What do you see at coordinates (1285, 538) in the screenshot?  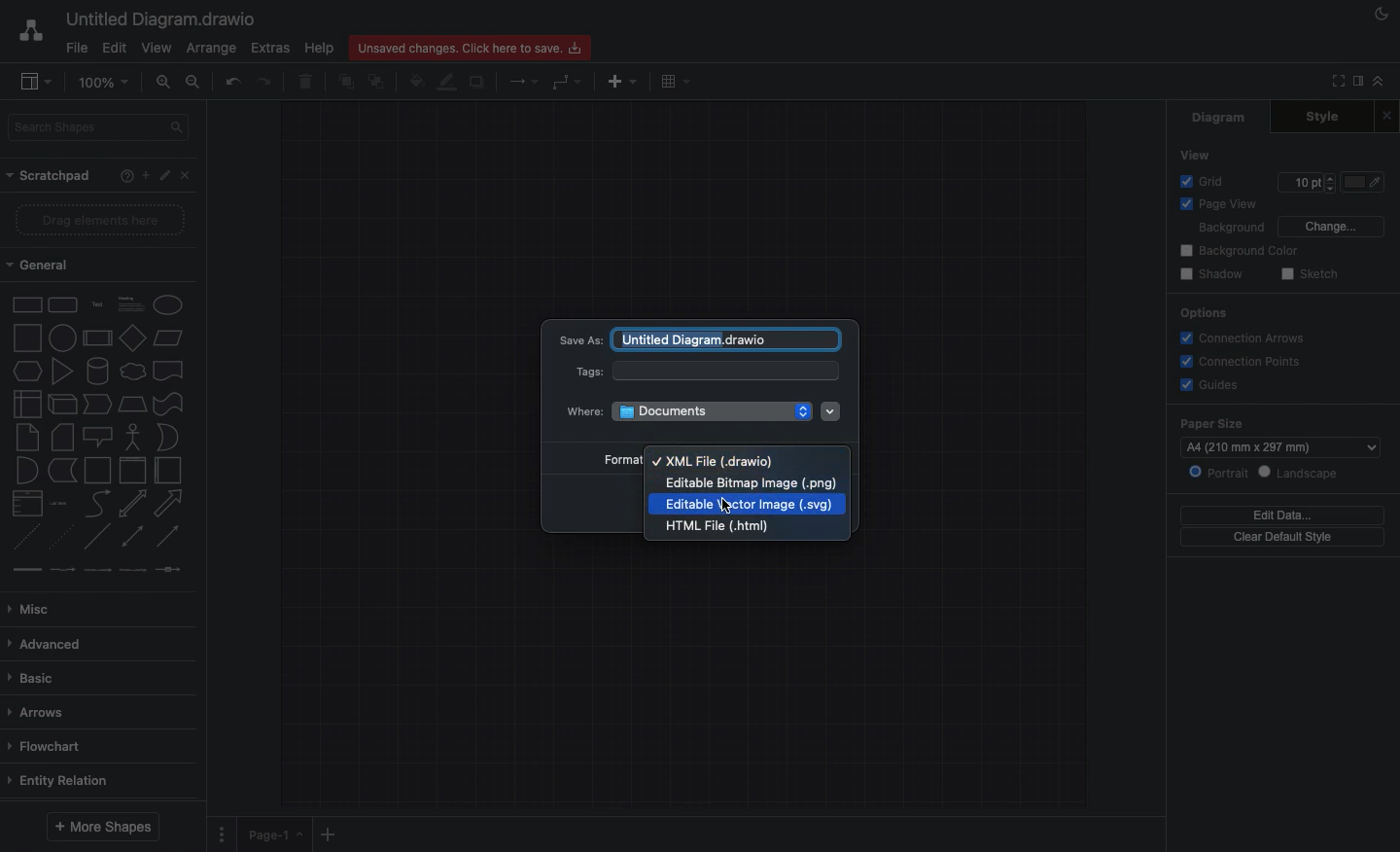 I see `Clear default style` at bounding box center [1285, 538].